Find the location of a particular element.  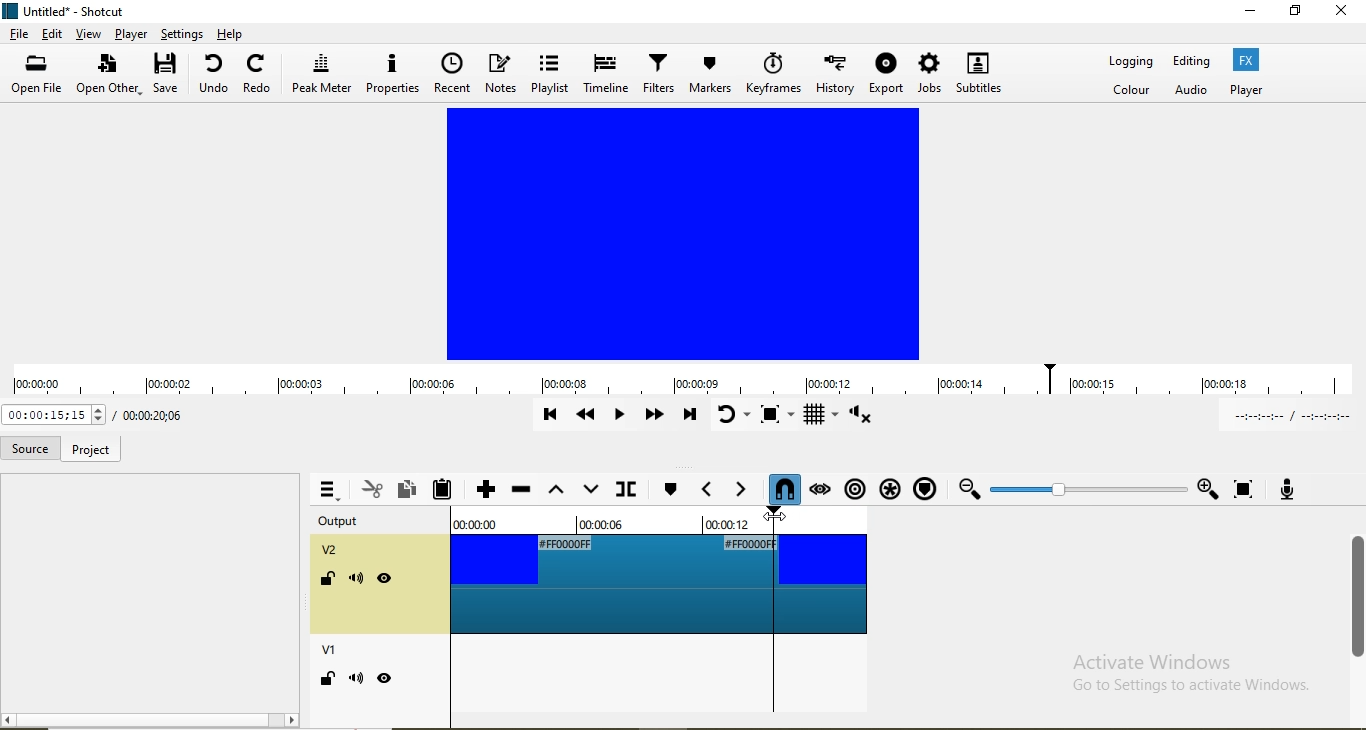

Paste  is located at coordinates (447, 490).